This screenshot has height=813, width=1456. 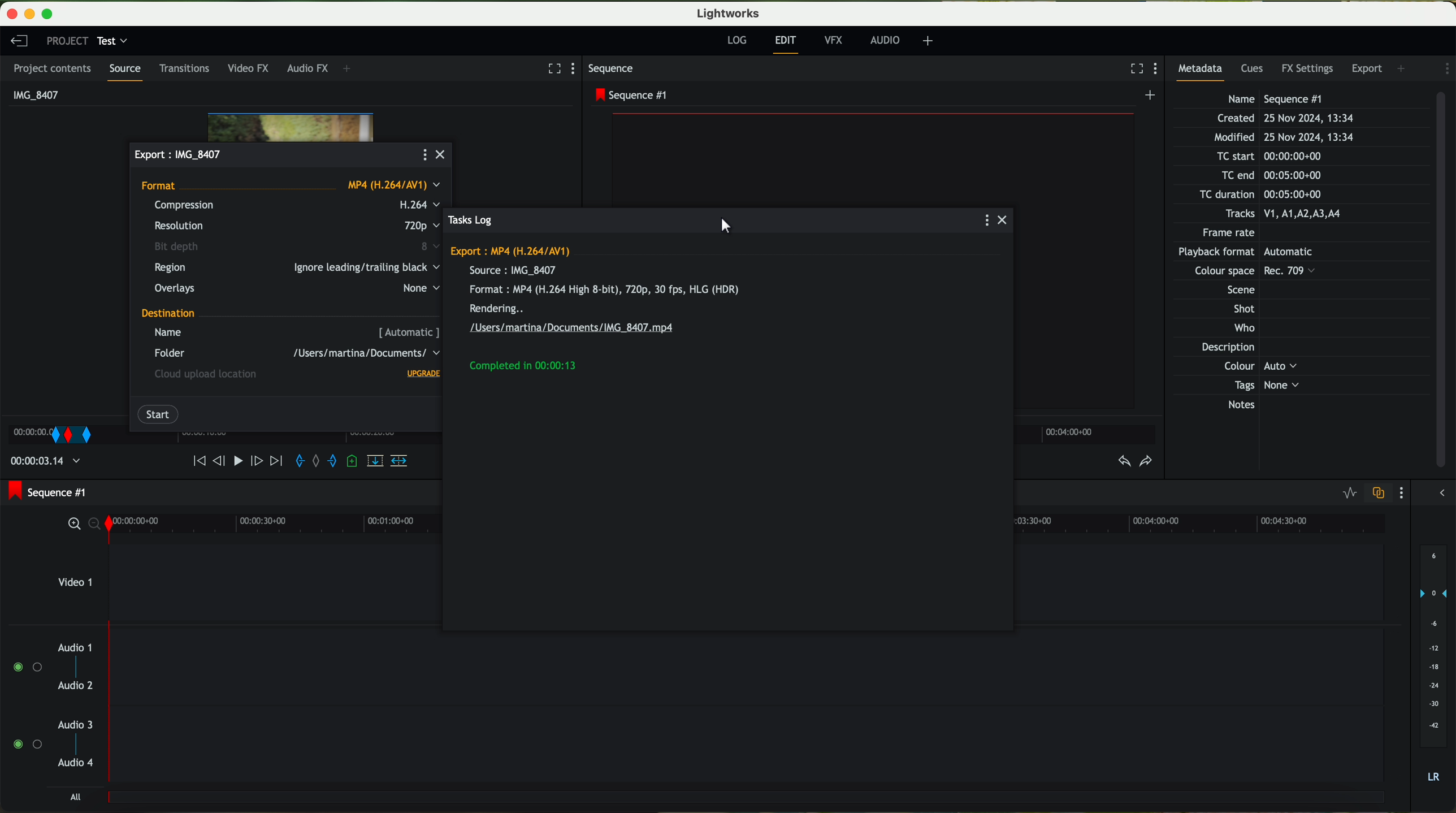 I want to click on completed, so click(x=526, y=365).